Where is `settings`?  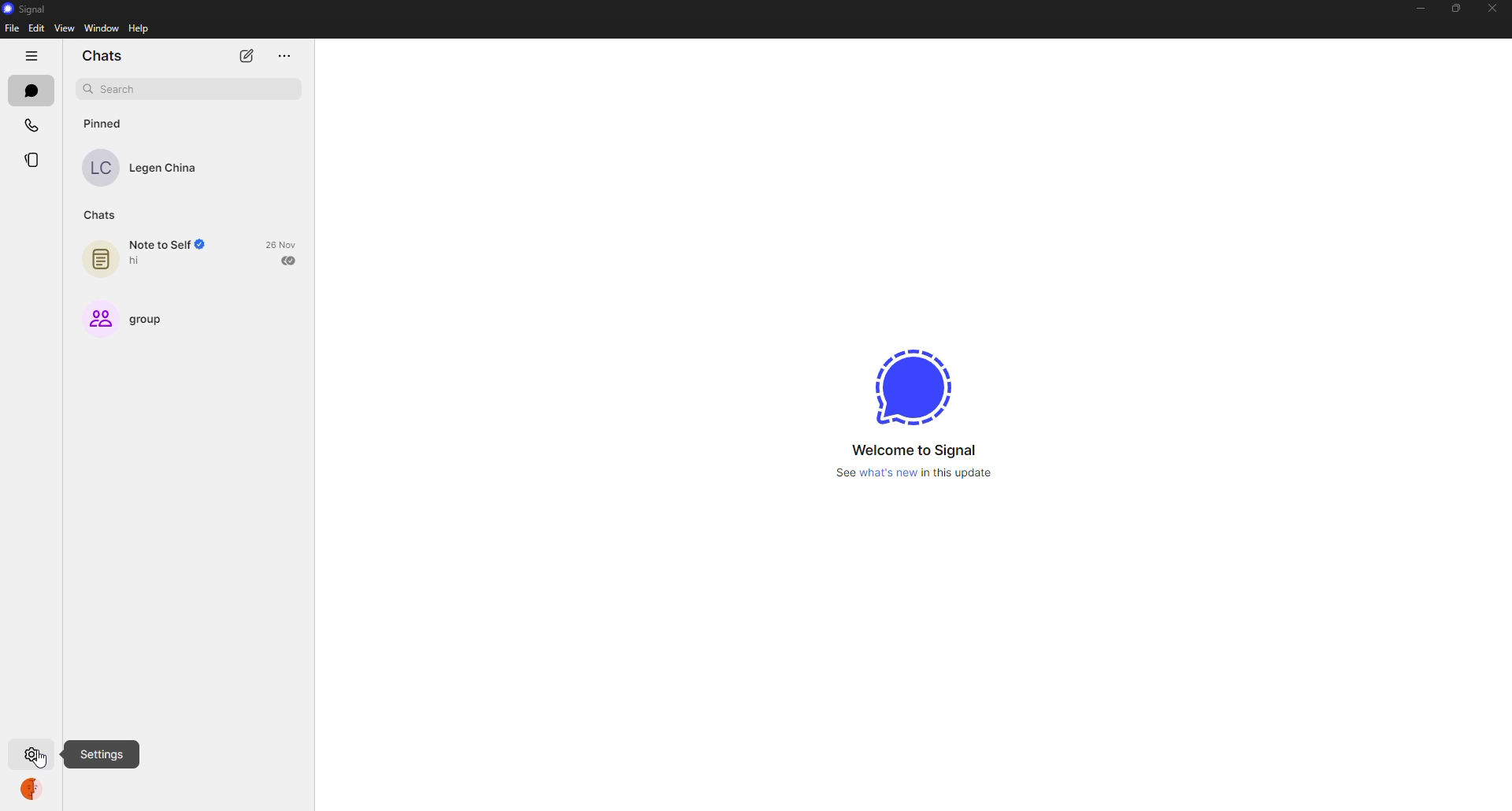
settings is located at coordinates (105, 754).